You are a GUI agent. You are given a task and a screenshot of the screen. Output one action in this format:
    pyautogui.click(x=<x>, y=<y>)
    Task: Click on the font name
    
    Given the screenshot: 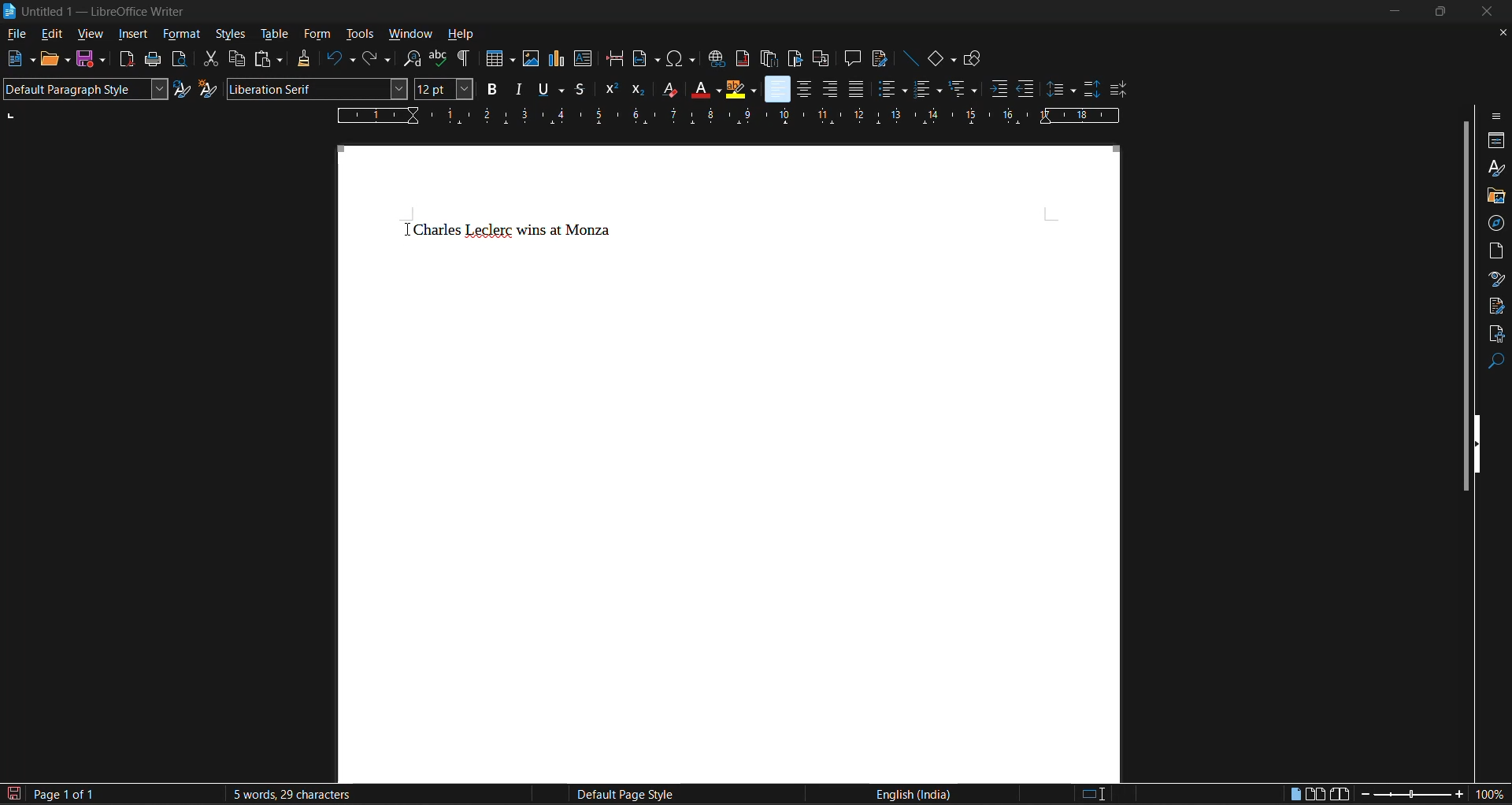 What is the action you would take?
    pyautogui.click(x=314, y=88)
    